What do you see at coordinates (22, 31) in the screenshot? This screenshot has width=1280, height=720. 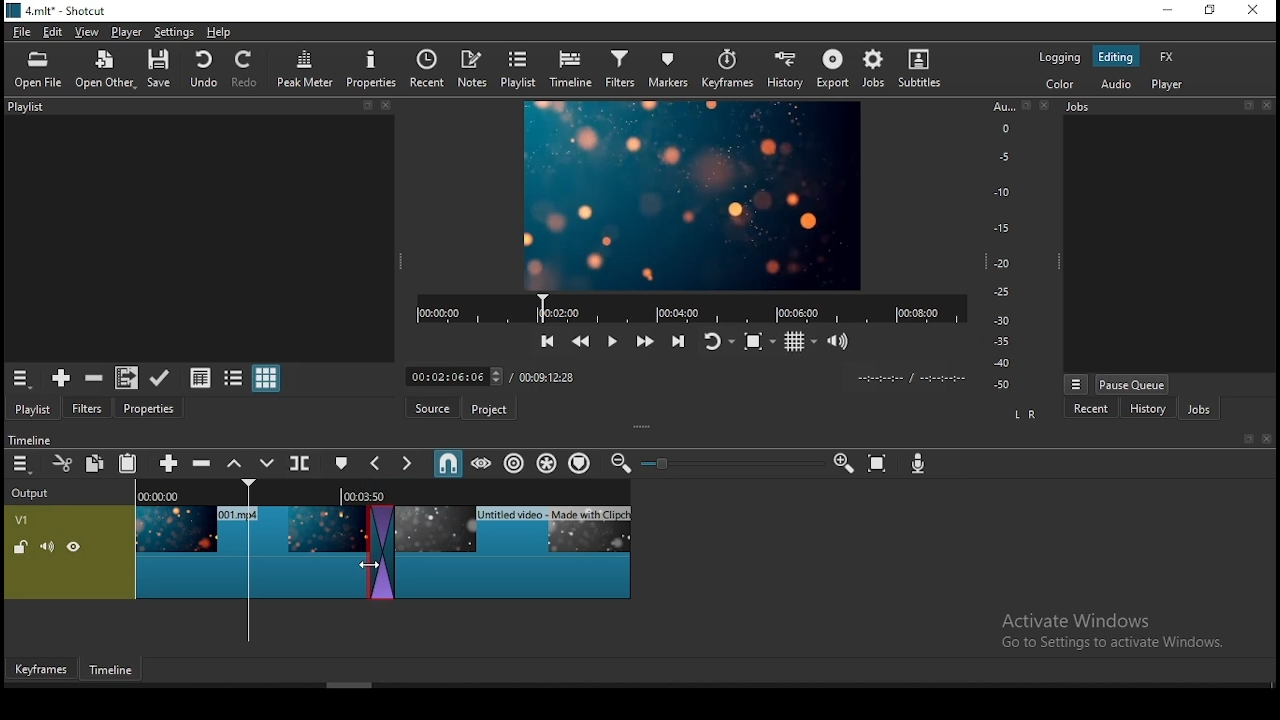 I see `file` at bounding box center [22, 31].